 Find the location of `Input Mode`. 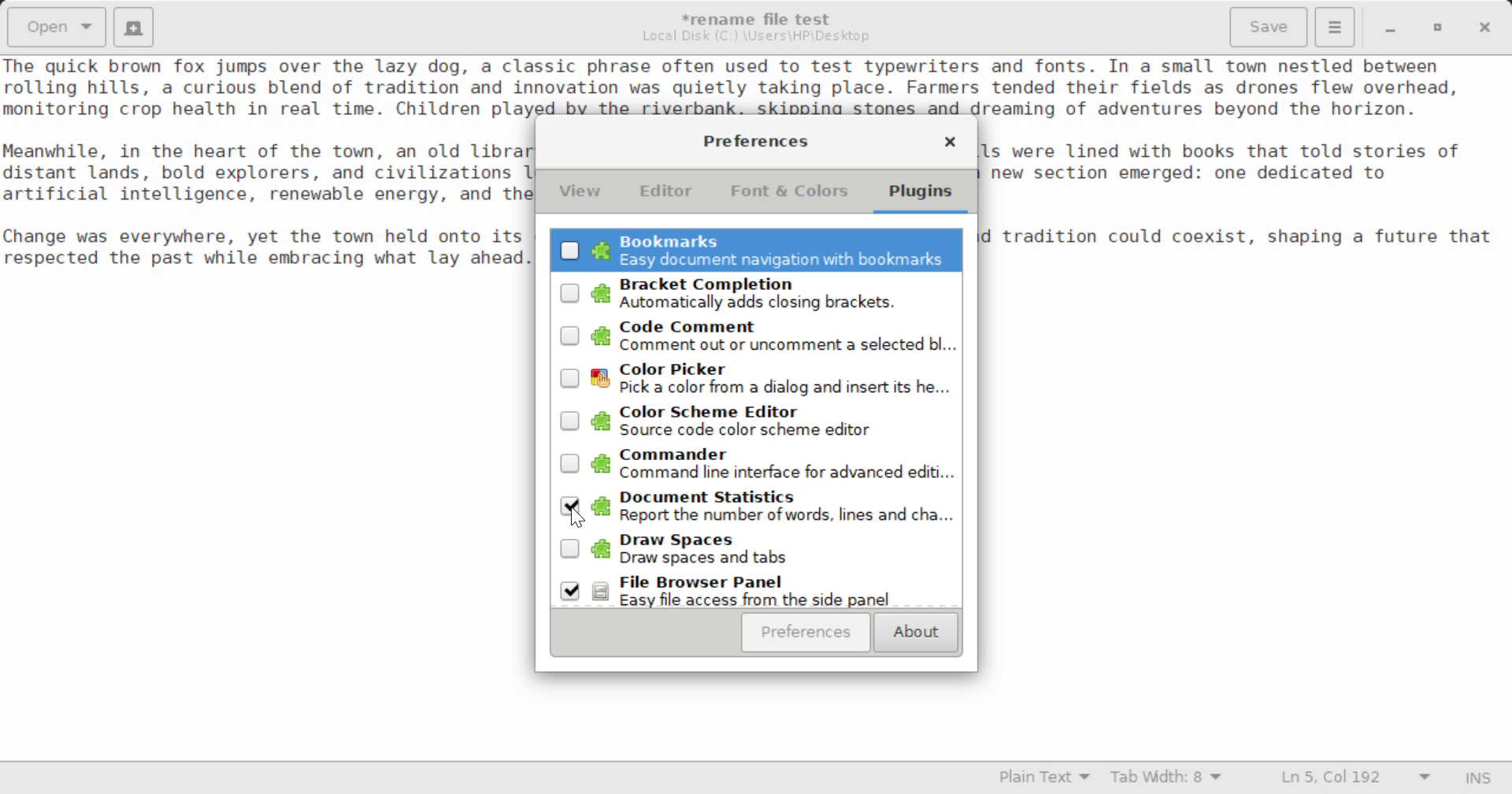

Input Mode is located at coordinates (1478, 780).